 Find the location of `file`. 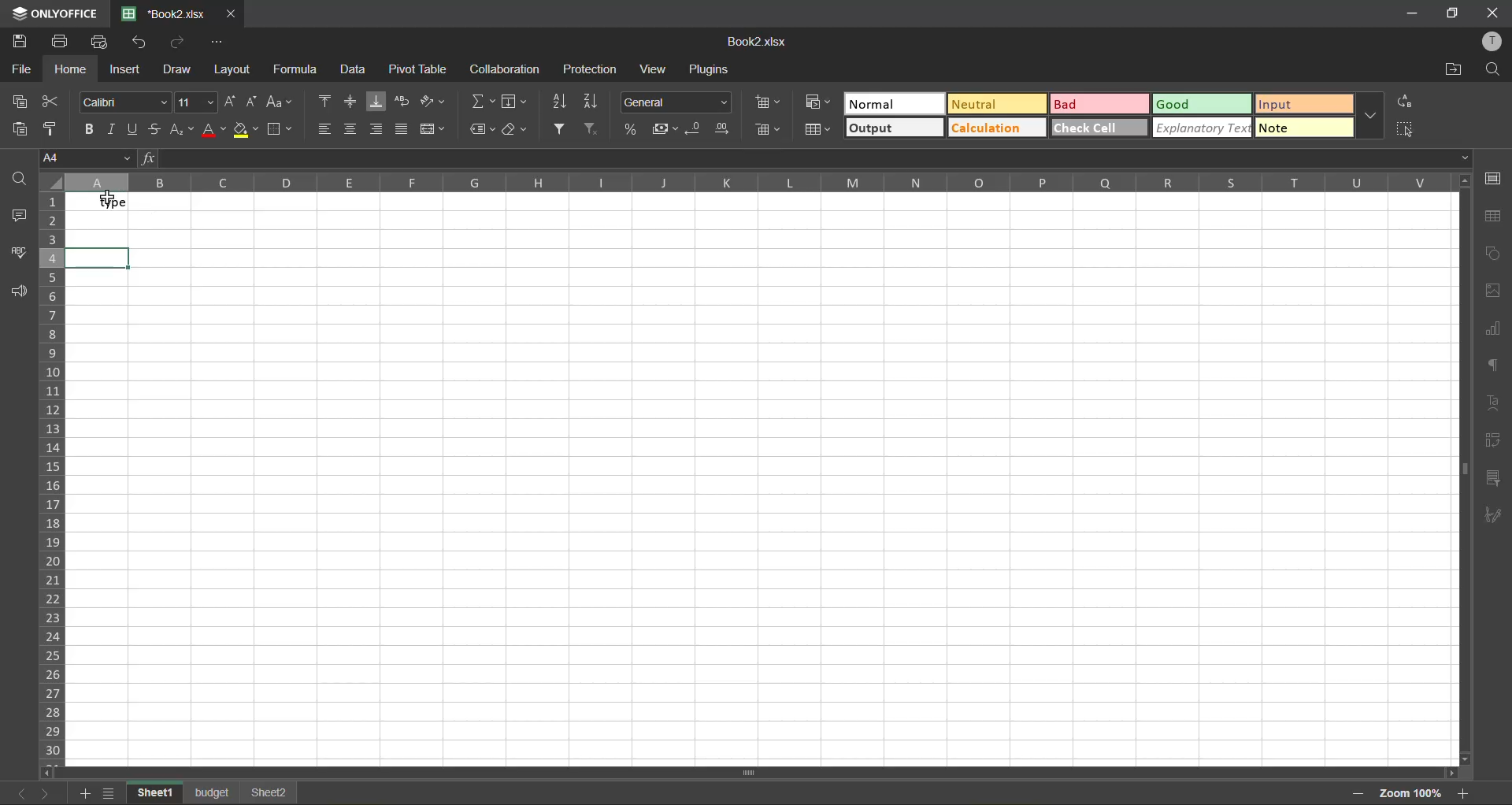

file is located at coordinates (19, 69).